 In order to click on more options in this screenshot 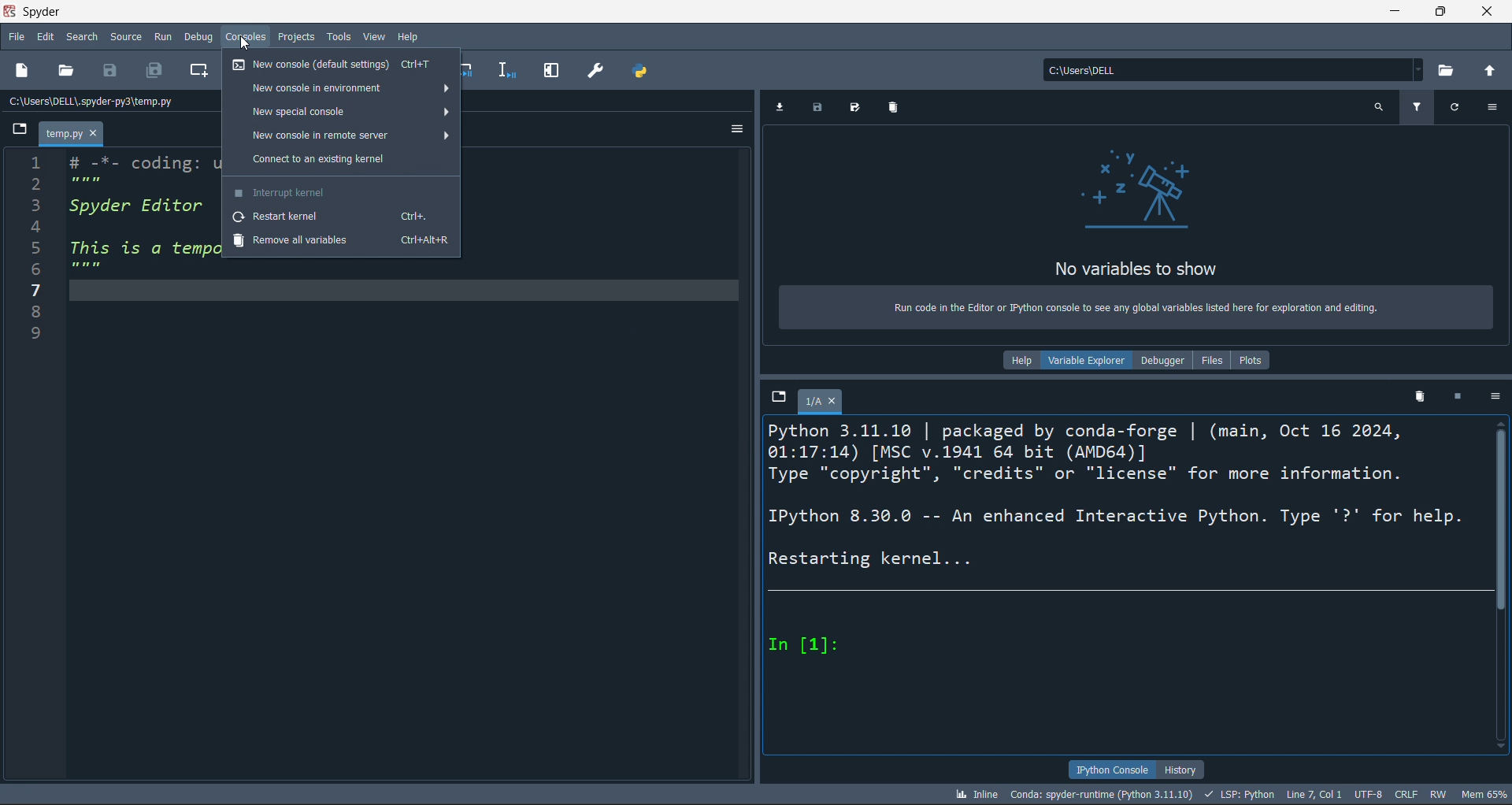, I will do `click(1495, 108)`.